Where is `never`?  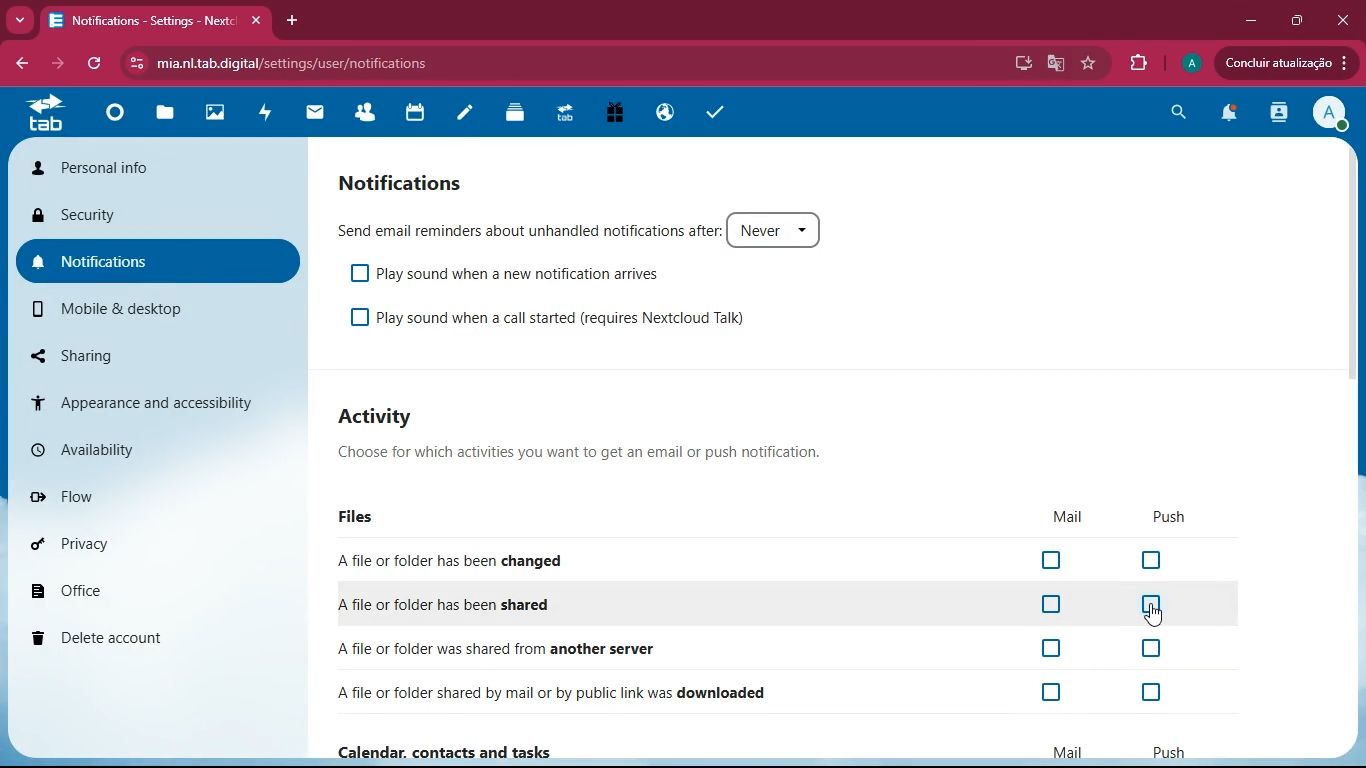 never is located at coordinates (777, 229).